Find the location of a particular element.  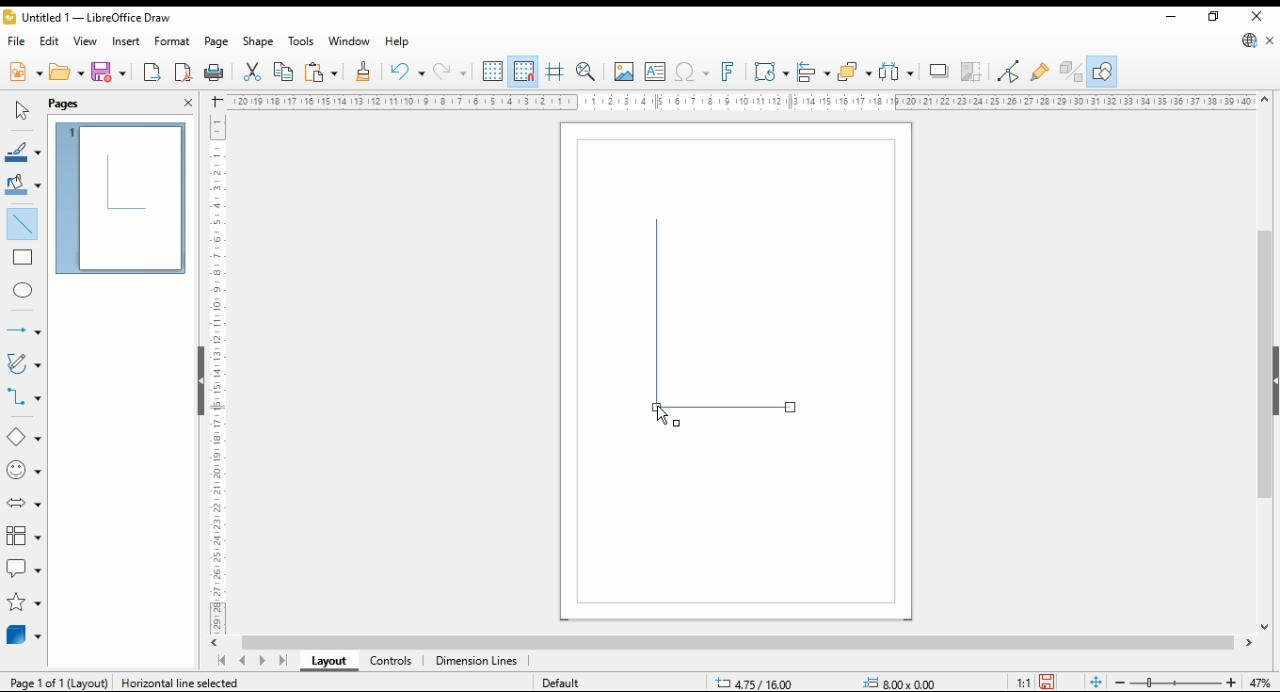

insert line is located at coordinates (22, 222).